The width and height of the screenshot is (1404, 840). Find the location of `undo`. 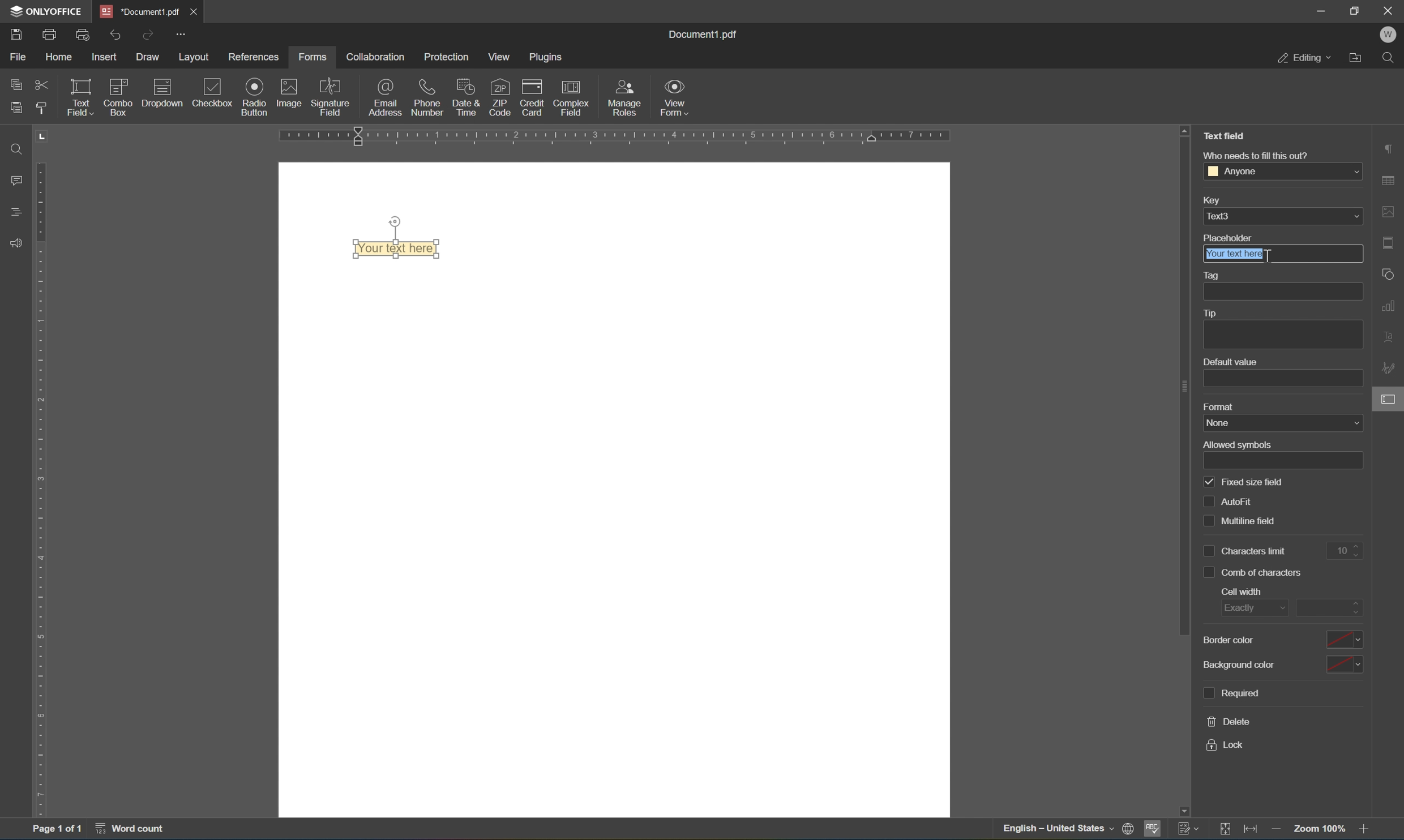

undo is located at coordinates (116, 36).